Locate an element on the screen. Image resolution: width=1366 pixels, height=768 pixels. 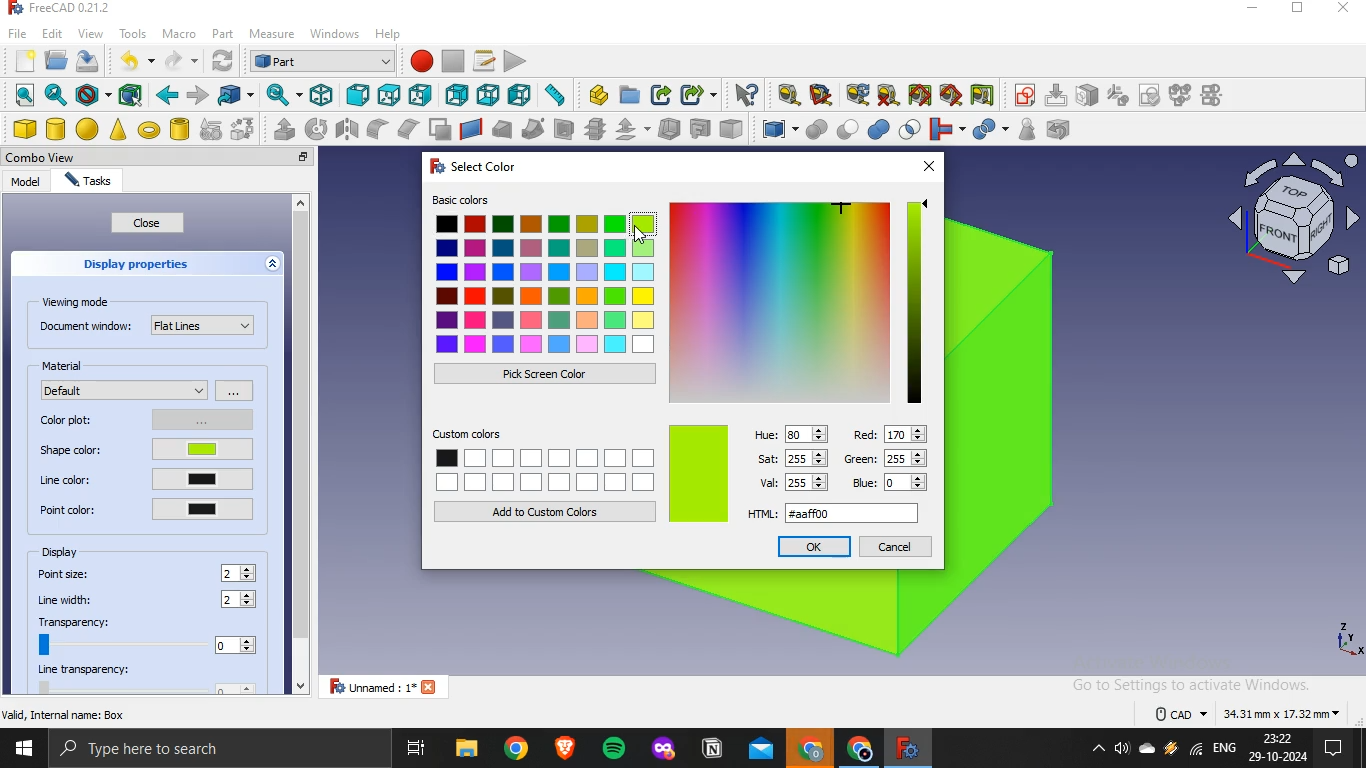
restore tab is located at coordinates (281, 157).